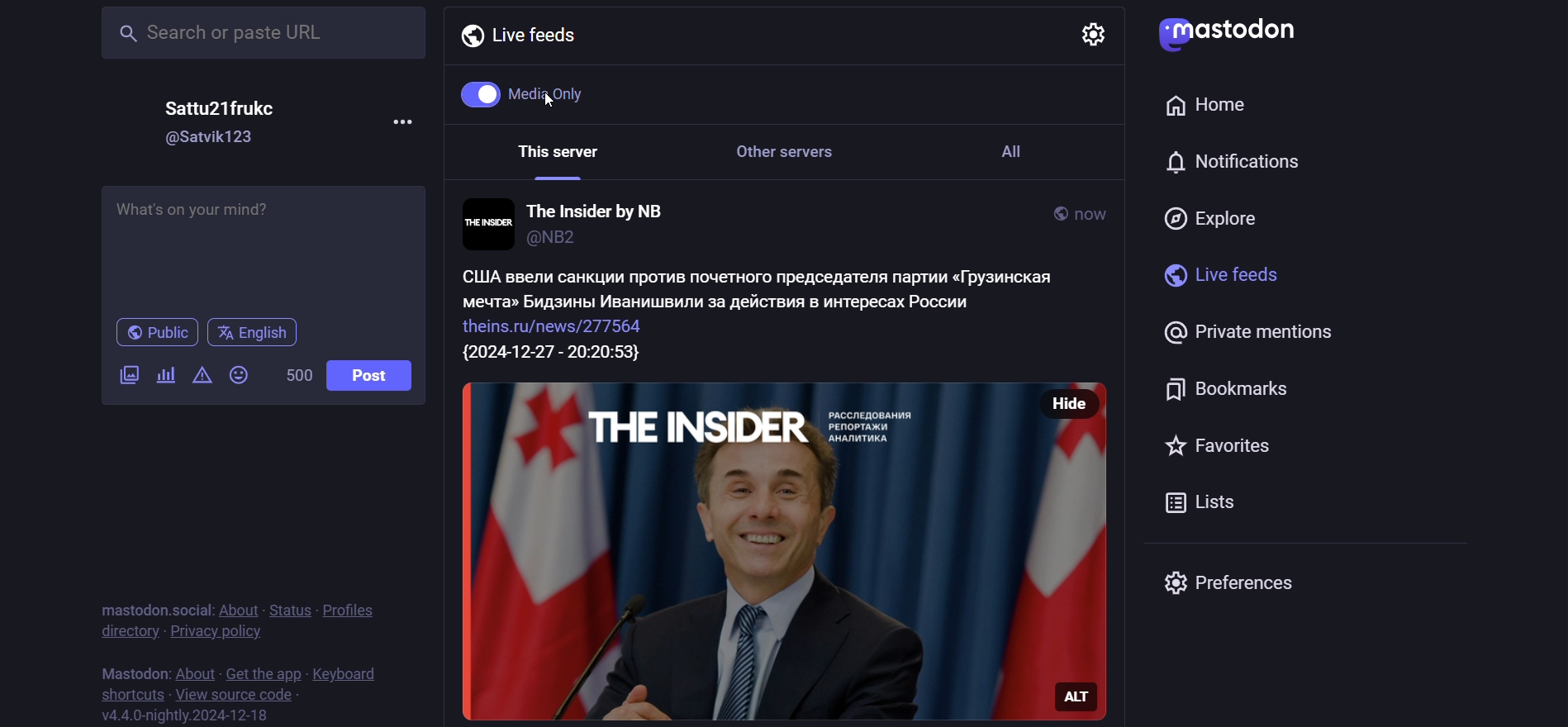 The width and height of the screenshot is (1568, 727). Describe the element at coordinates (1228, 164) in the screenshot. I see `notification` at that location.